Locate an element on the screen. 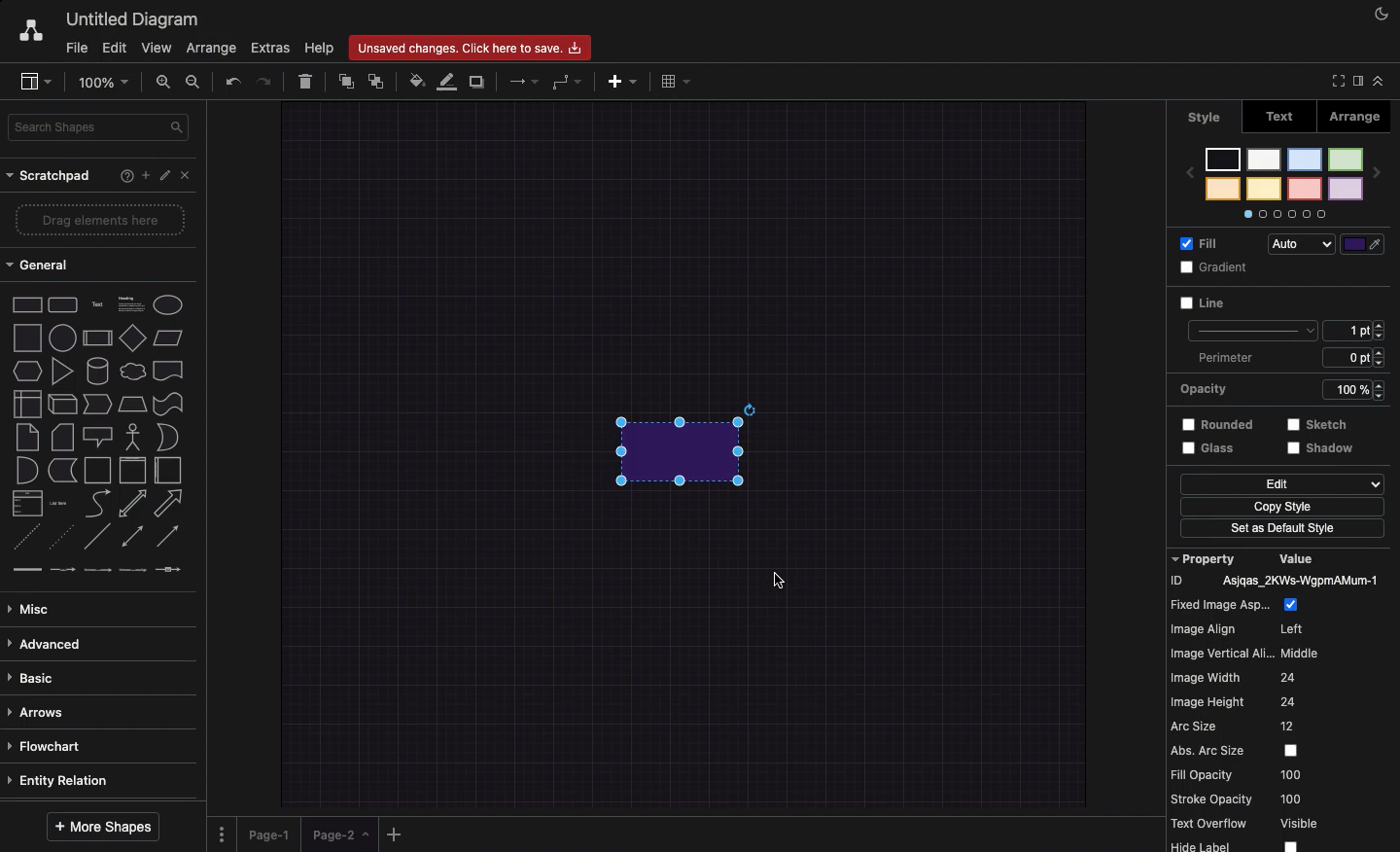 The width and height of the screenshot is (1400, 852). Search shapes is located at coordinates (101, 125).